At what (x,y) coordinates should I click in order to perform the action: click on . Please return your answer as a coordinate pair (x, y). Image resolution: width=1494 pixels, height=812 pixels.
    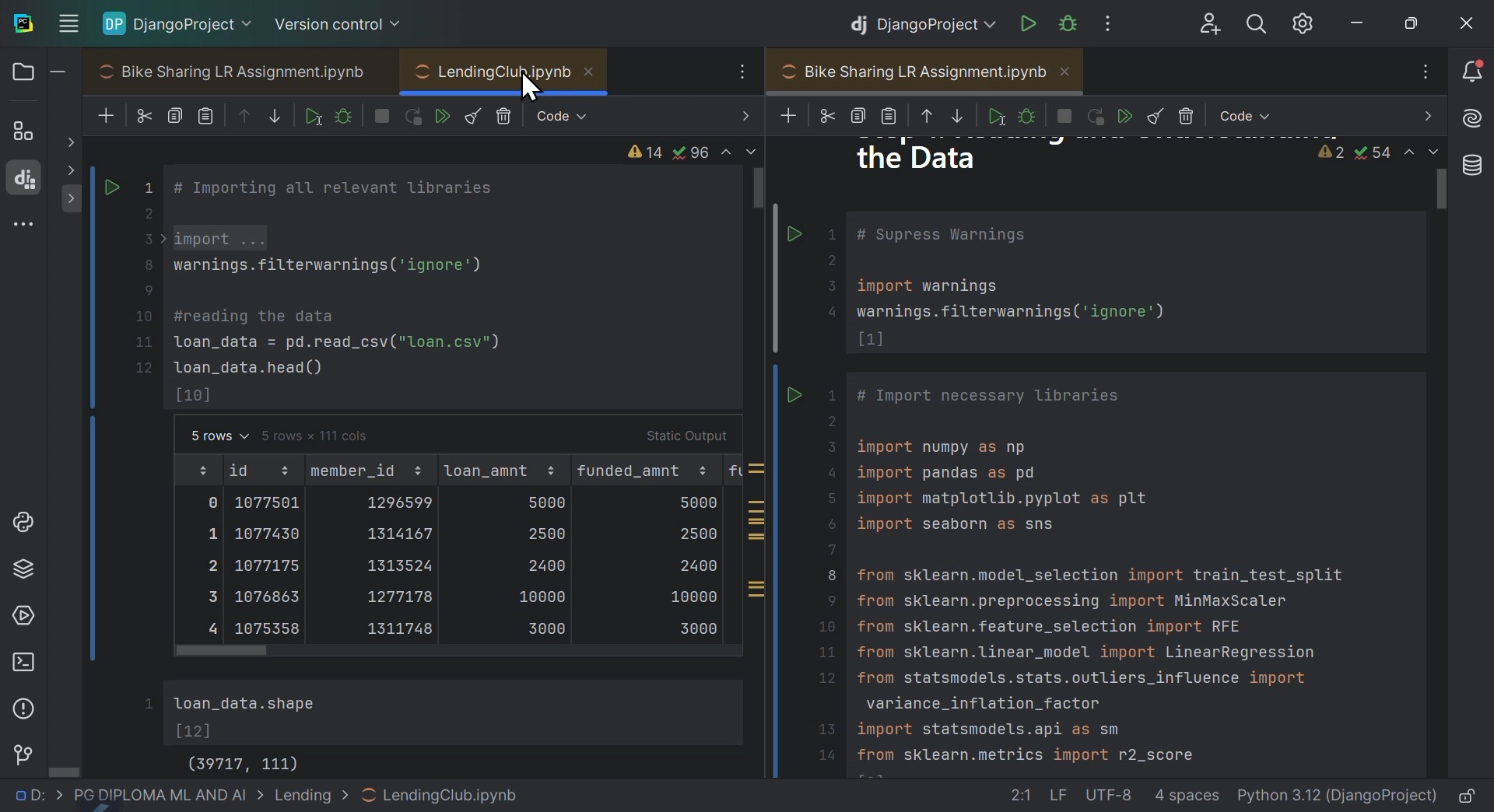
    Looking at the image, I should click on (1185, 115).